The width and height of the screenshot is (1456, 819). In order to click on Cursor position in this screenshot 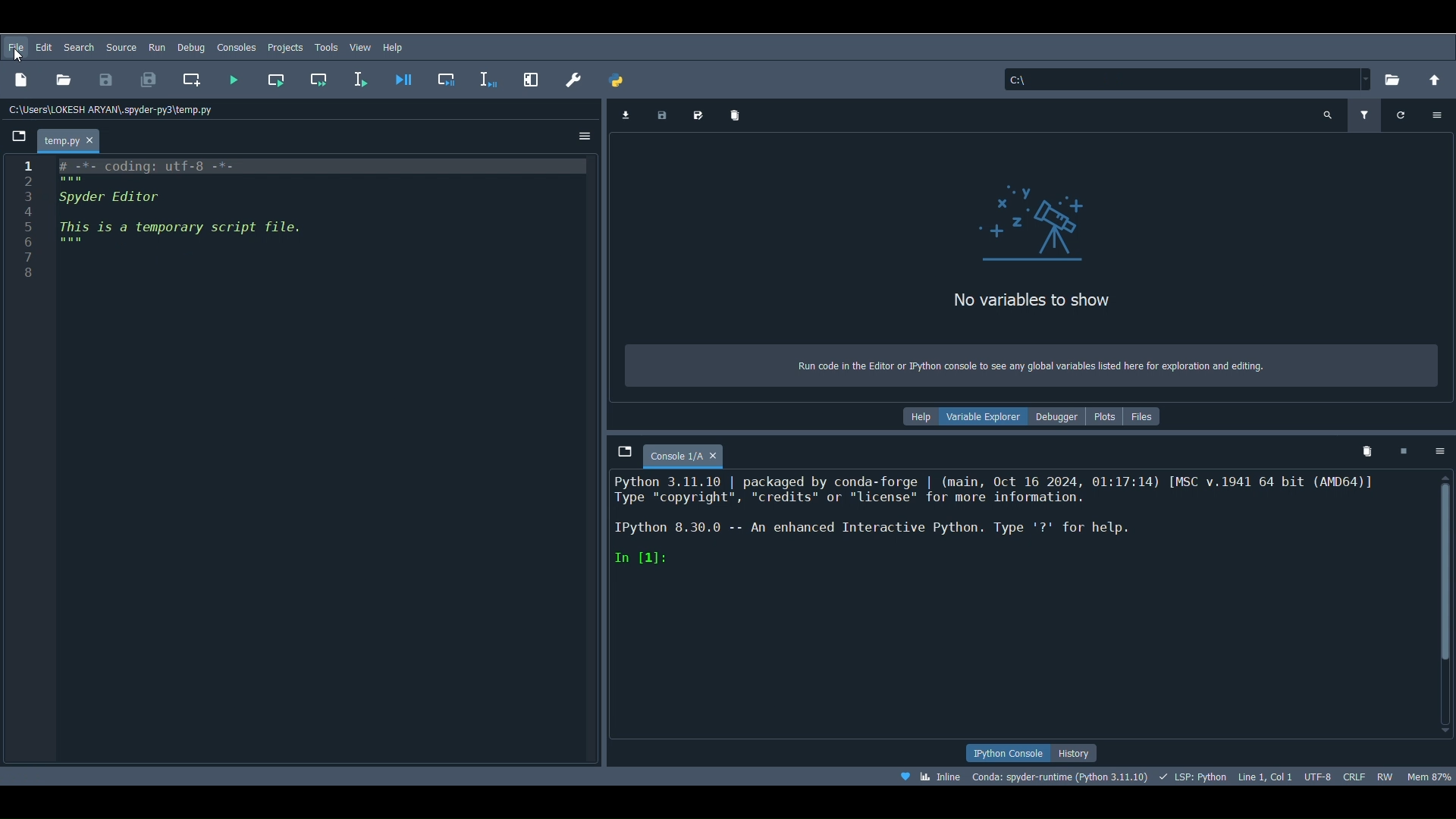, I will do `click(1266, 775)`.